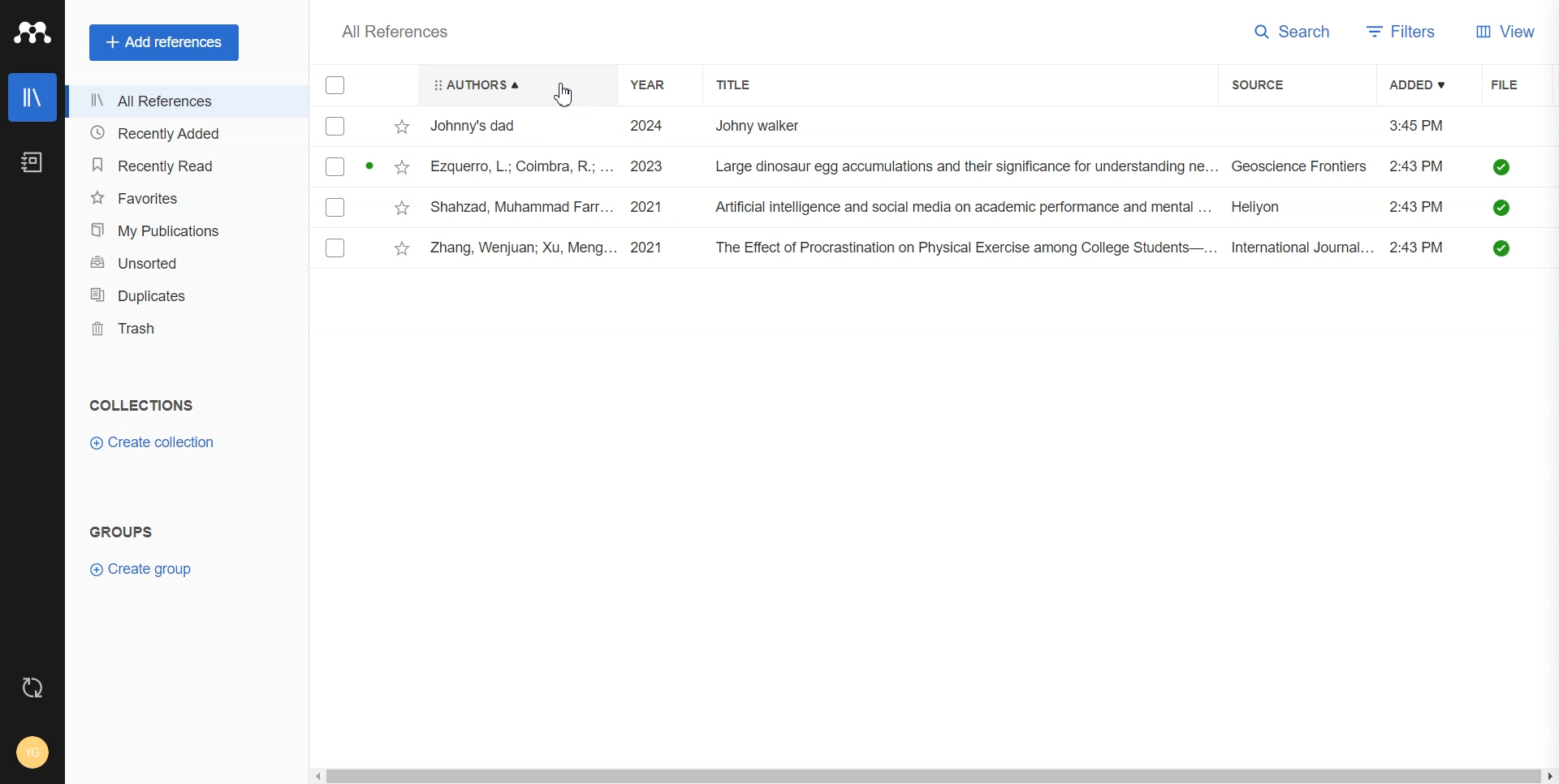  Describe the element at coordinates (1510, 32) in the screenshot. I see `View` at that location.